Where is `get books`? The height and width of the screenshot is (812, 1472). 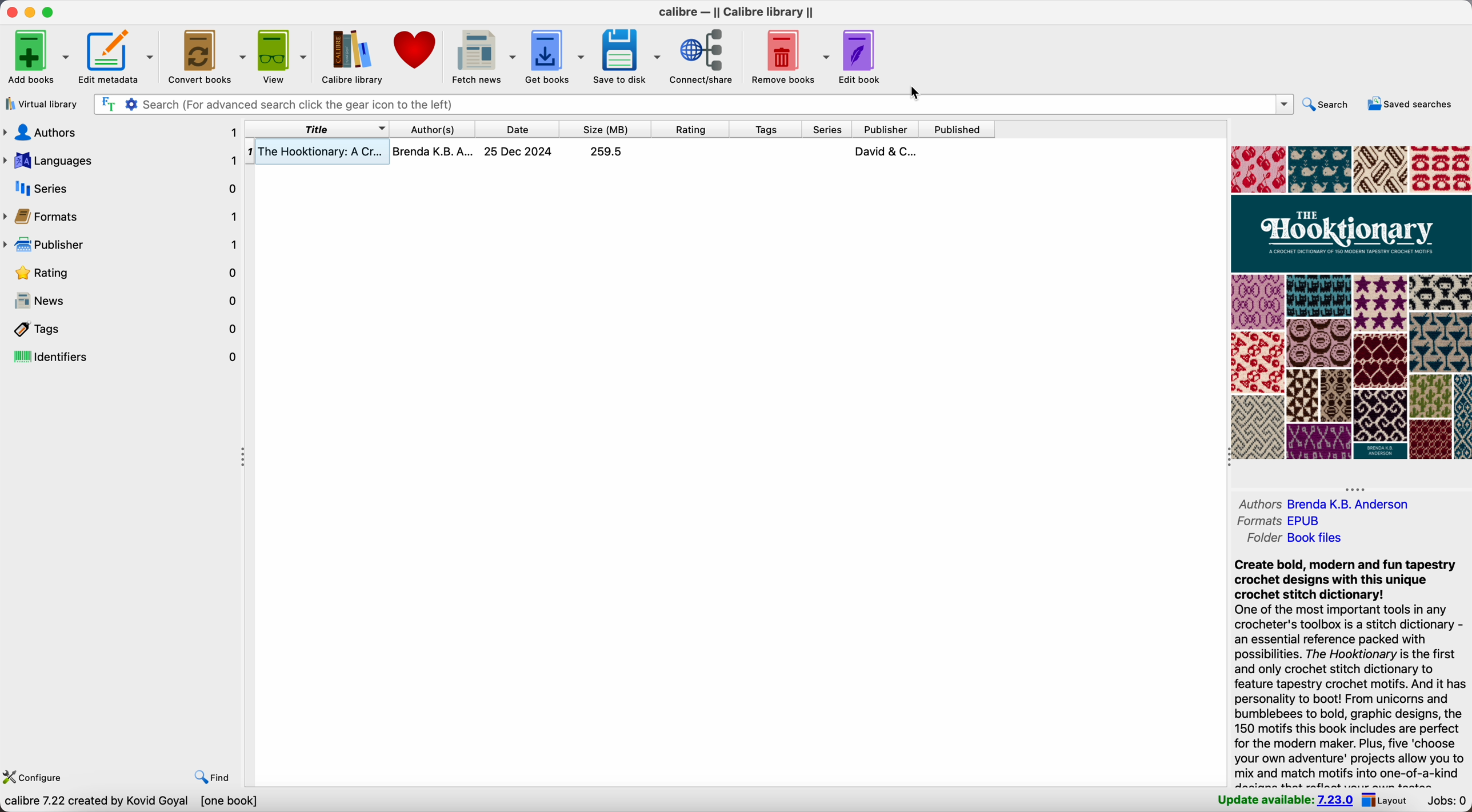 get books is located at coordinates (555, 54).